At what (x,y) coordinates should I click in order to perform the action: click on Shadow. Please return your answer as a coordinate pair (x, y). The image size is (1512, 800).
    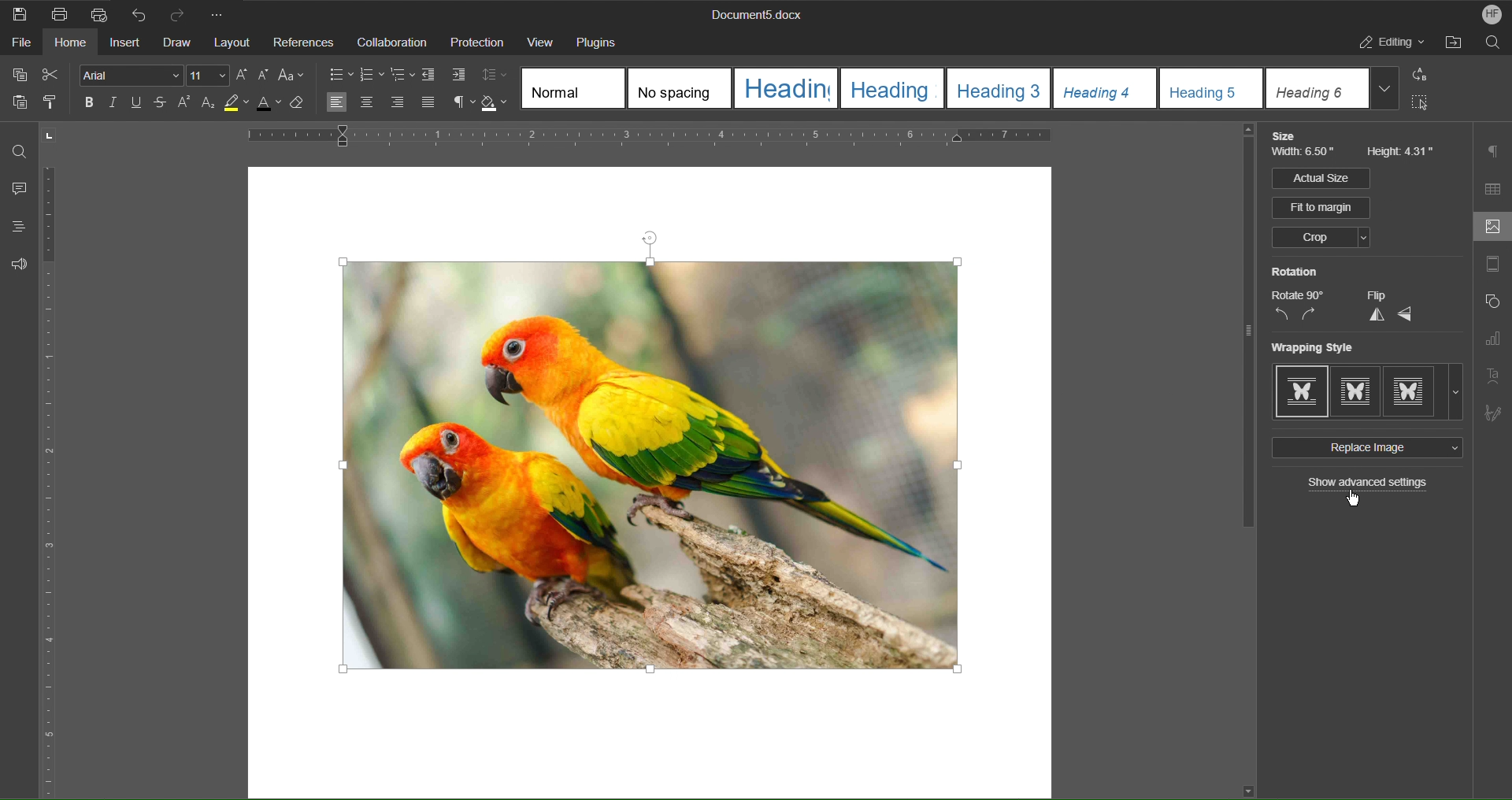
    Looking at the image, I should click on (497, 103).